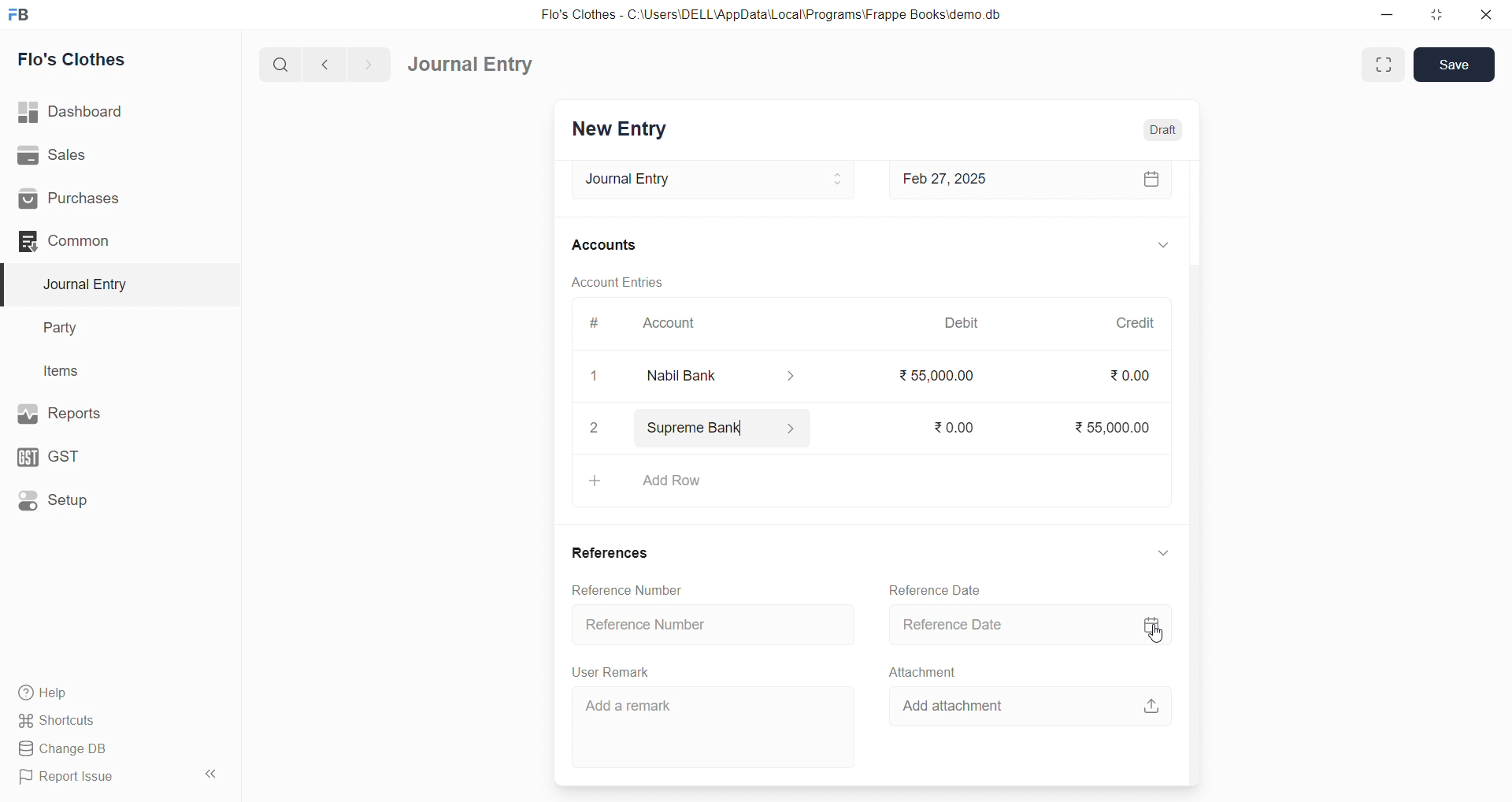 The image size is (1512, 802). What do you see at coordinates (710, 625) in the screenshot?
I see `Reference Number` at bounding box center [710, 625].